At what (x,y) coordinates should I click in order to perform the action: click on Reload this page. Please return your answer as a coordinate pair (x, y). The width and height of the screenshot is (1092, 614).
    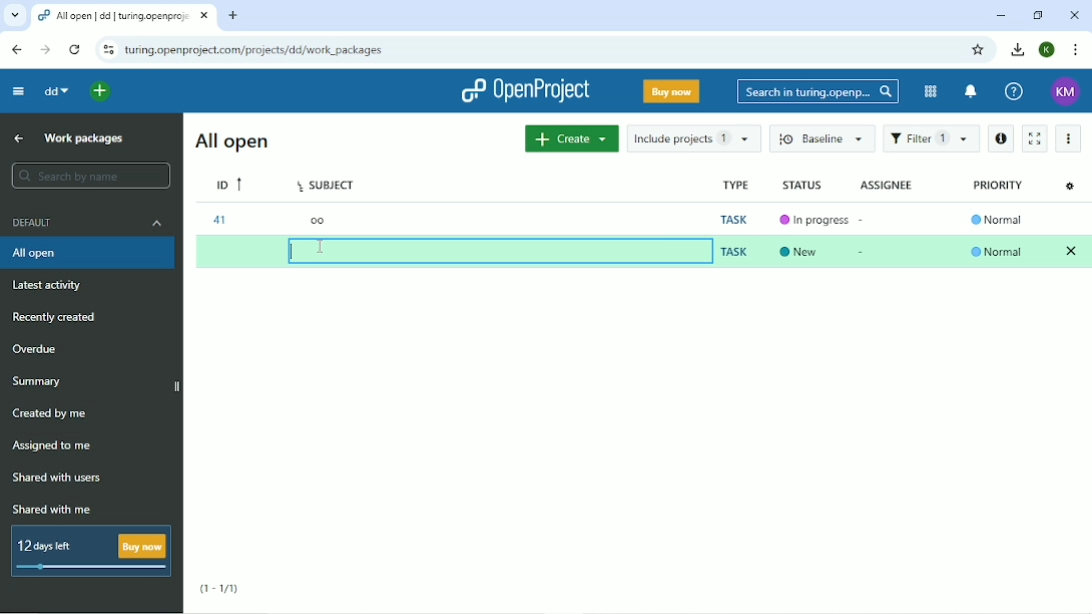
    Looking at the image, I should click on (76, 49).